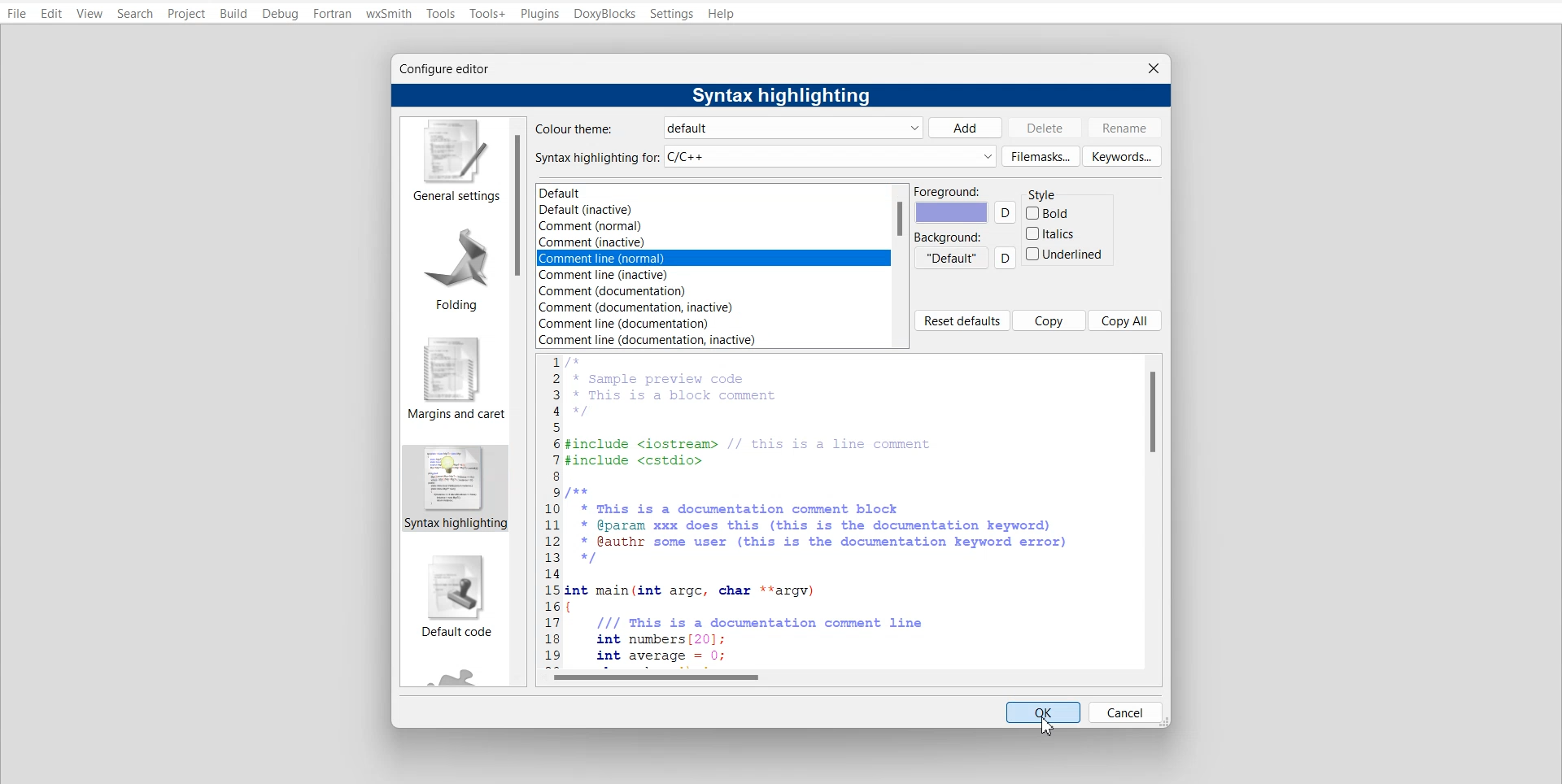  I want to click on Color Theme, so click(728, 128).